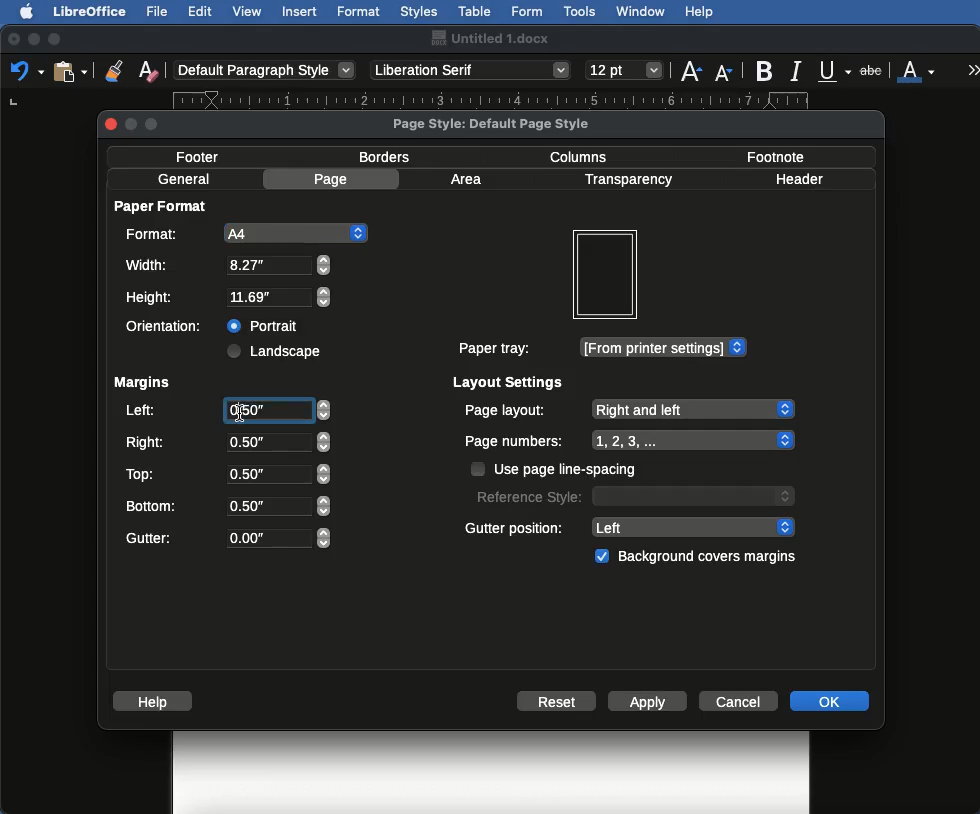  Describe the element at coordinates (509, 382) in the screenshot. I see `Layout settings` at that location.